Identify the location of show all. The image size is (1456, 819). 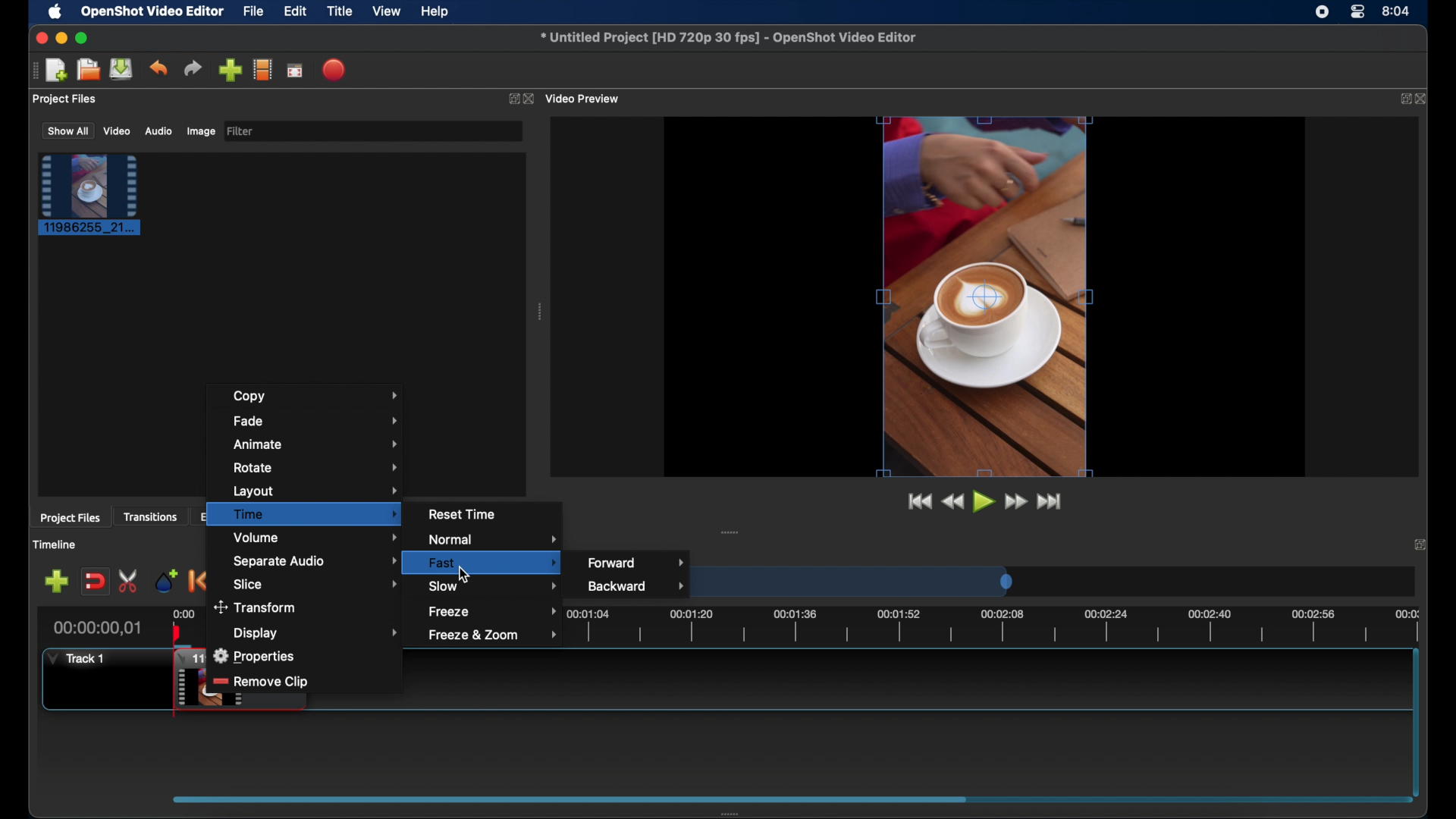
(67, 131).